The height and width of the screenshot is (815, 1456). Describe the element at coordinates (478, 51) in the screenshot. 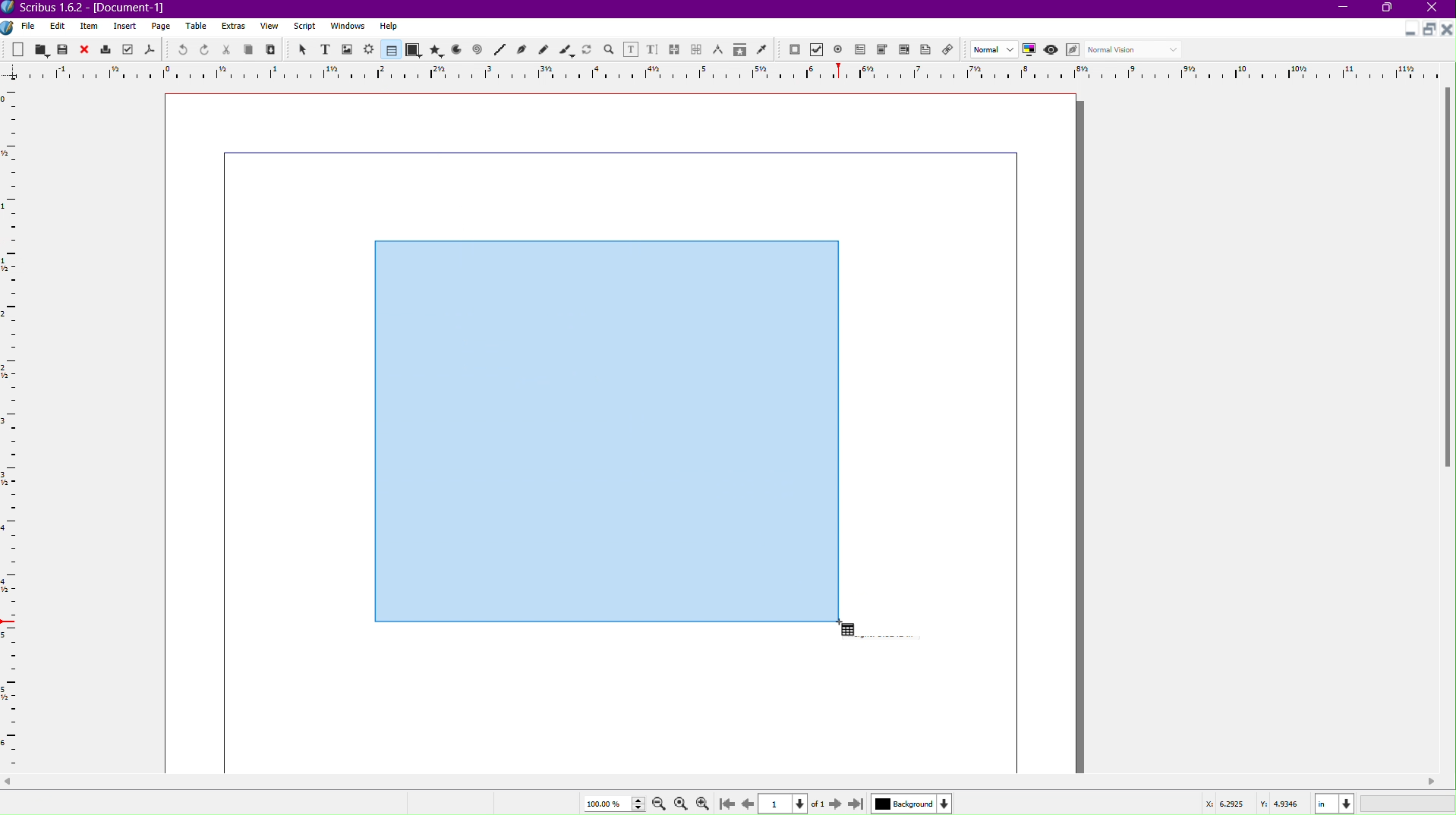

I see `Spiral` at that location.